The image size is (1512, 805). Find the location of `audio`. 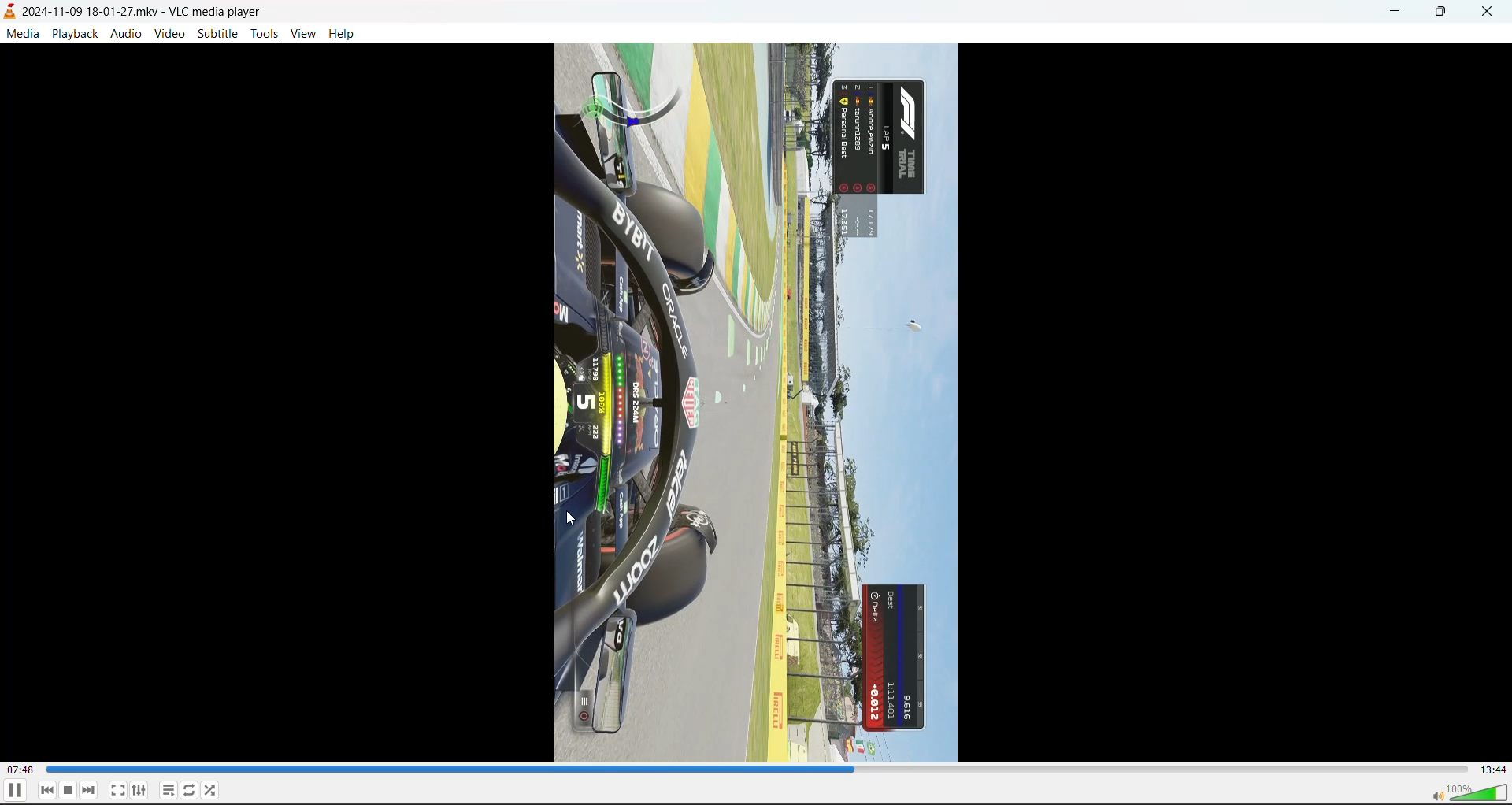

audio is located at coordinates (127, 33).